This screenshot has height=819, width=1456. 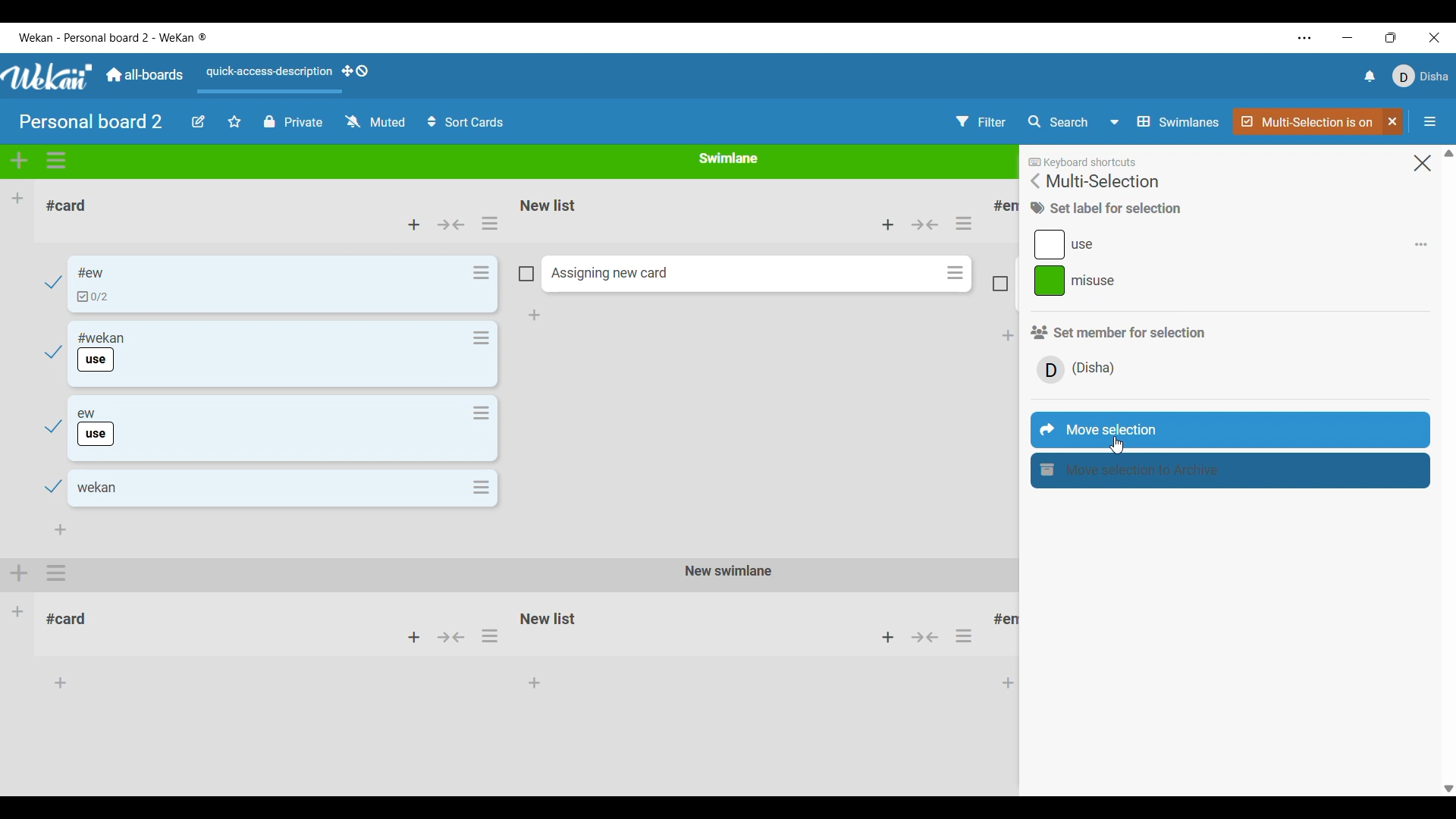 I want to click on Add/Remove respective label, so click(x=1422, y=244).